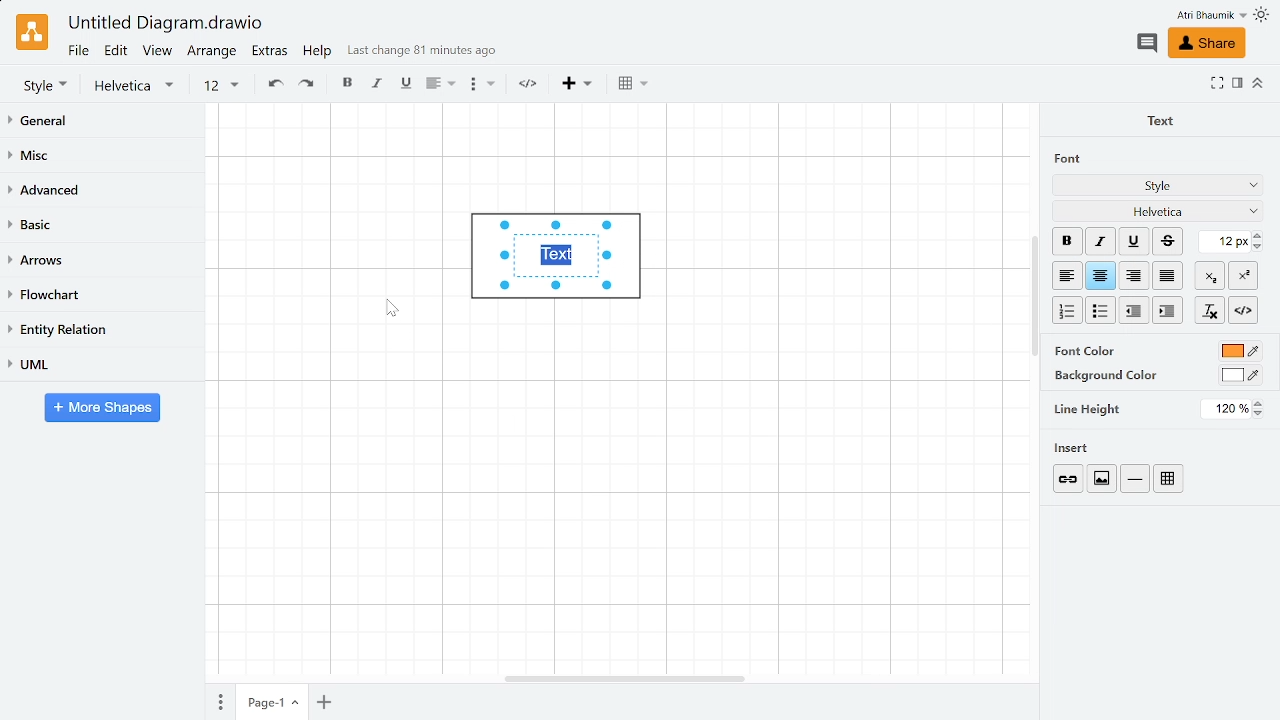 The width and height of the screenshot is (1280, 720). What do you see at coordinates (102, 191) in the screenshot?
I see `Advanced` at bounding box center [102, 191].